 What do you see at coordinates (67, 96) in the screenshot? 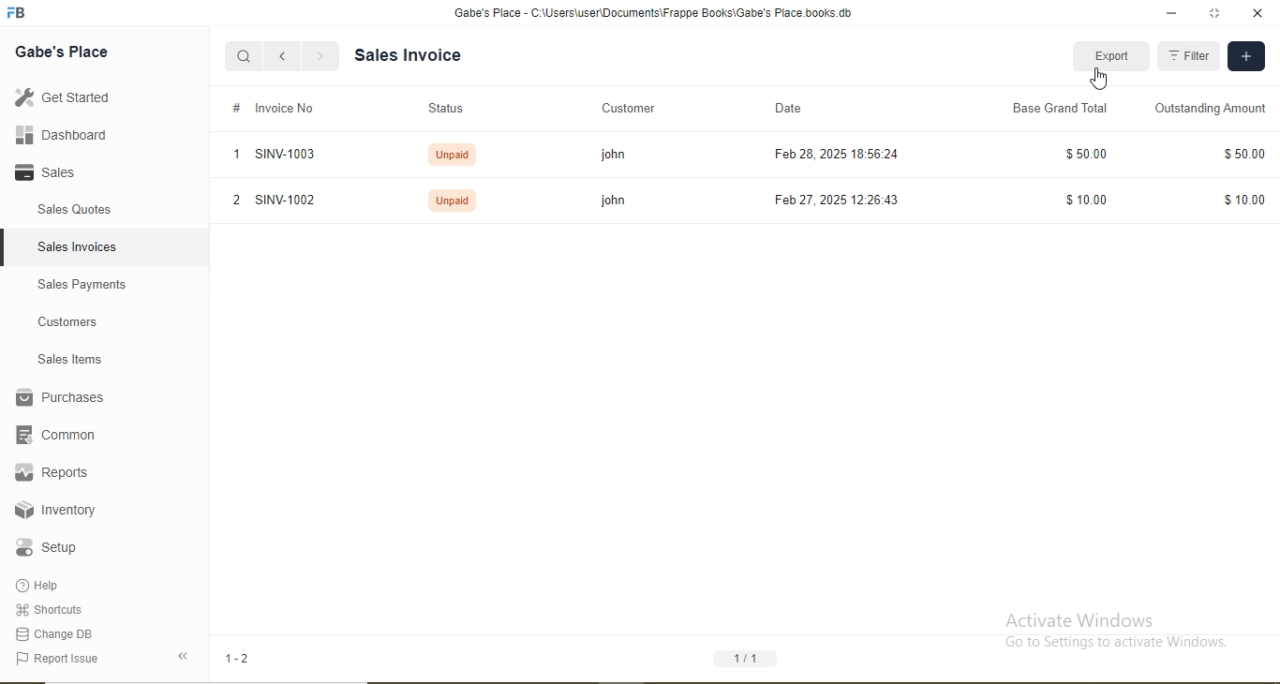
I see `Get Started` at bounding box center [67, 96].